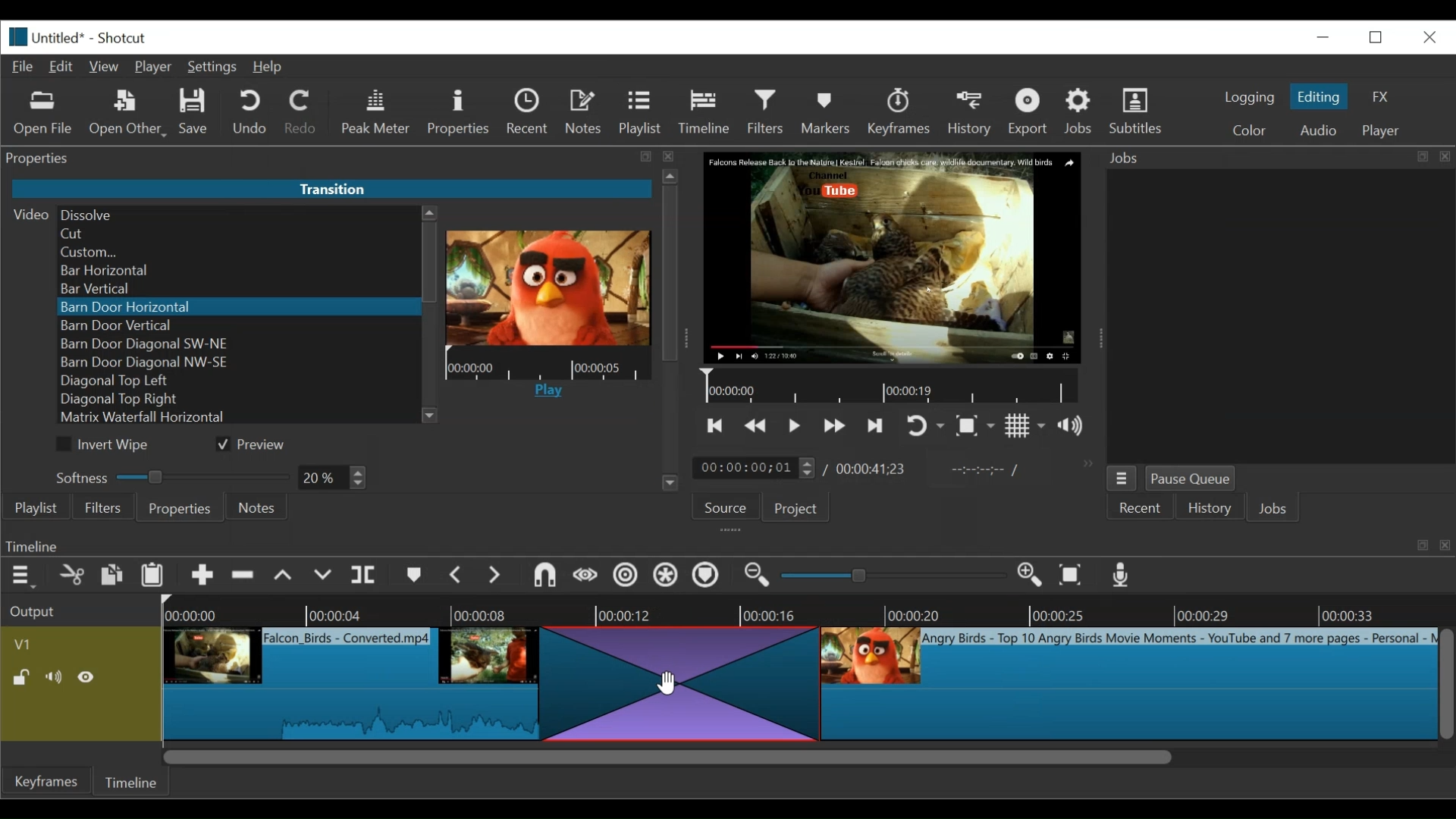  Describe the element at coordinates (709, 576) in the screenshot. I see `Ripple Markers` at that location.